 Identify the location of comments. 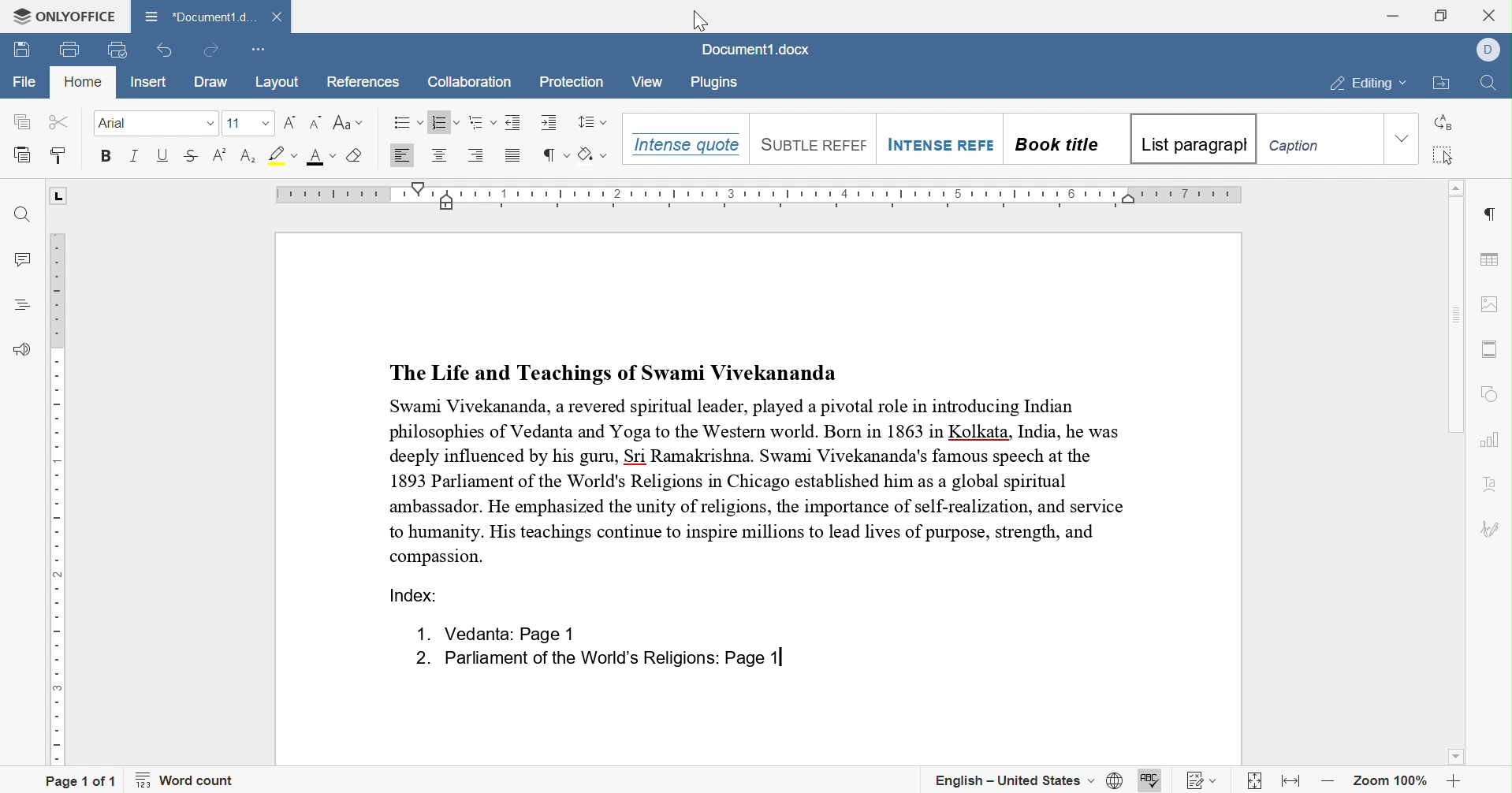
(28, 261).